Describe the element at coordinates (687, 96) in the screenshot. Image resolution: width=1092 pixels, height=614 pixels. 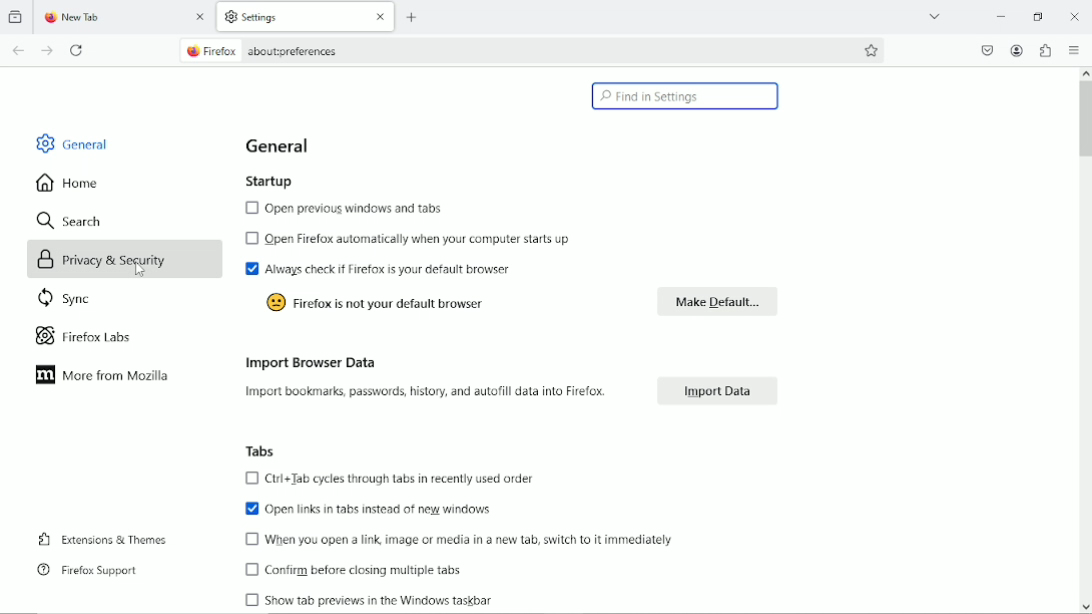
I see `find in settings` at that location.